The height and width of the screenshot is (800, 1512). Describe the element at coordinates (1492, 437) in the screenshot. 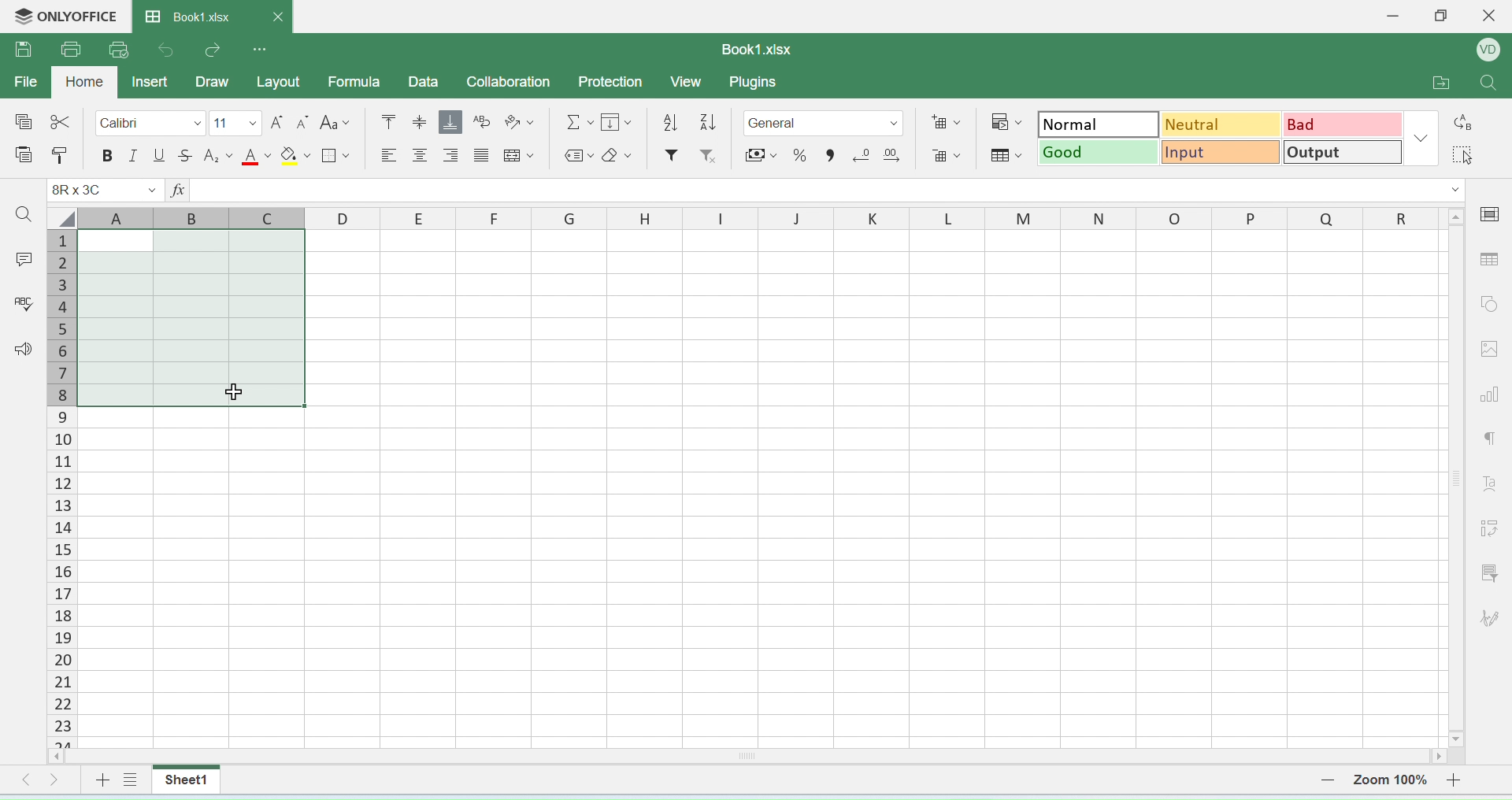

I see `paragraph` at that location.